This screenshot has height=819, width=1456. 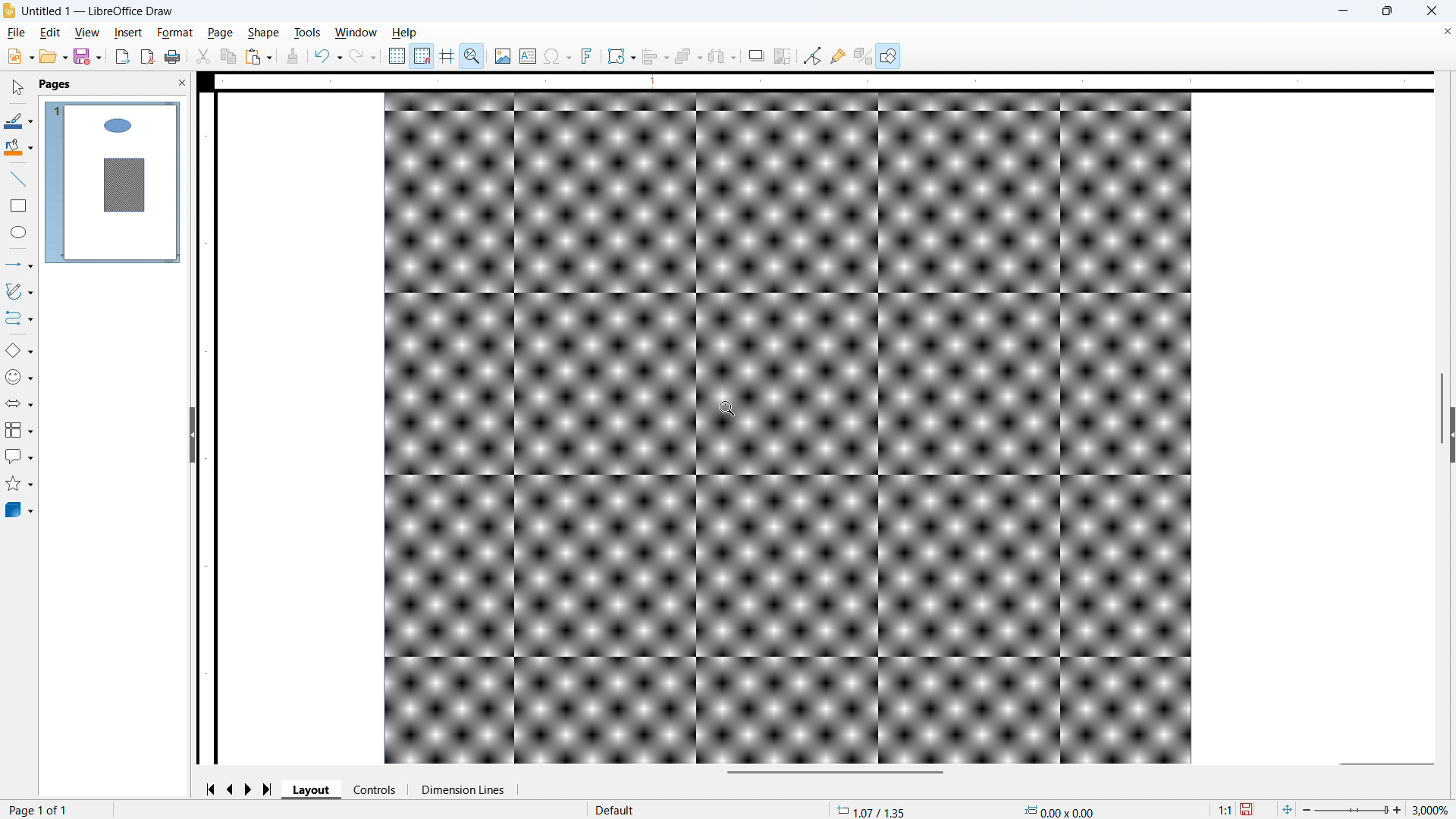 I want to click on Stars and banners , so click(x=20, y=484).